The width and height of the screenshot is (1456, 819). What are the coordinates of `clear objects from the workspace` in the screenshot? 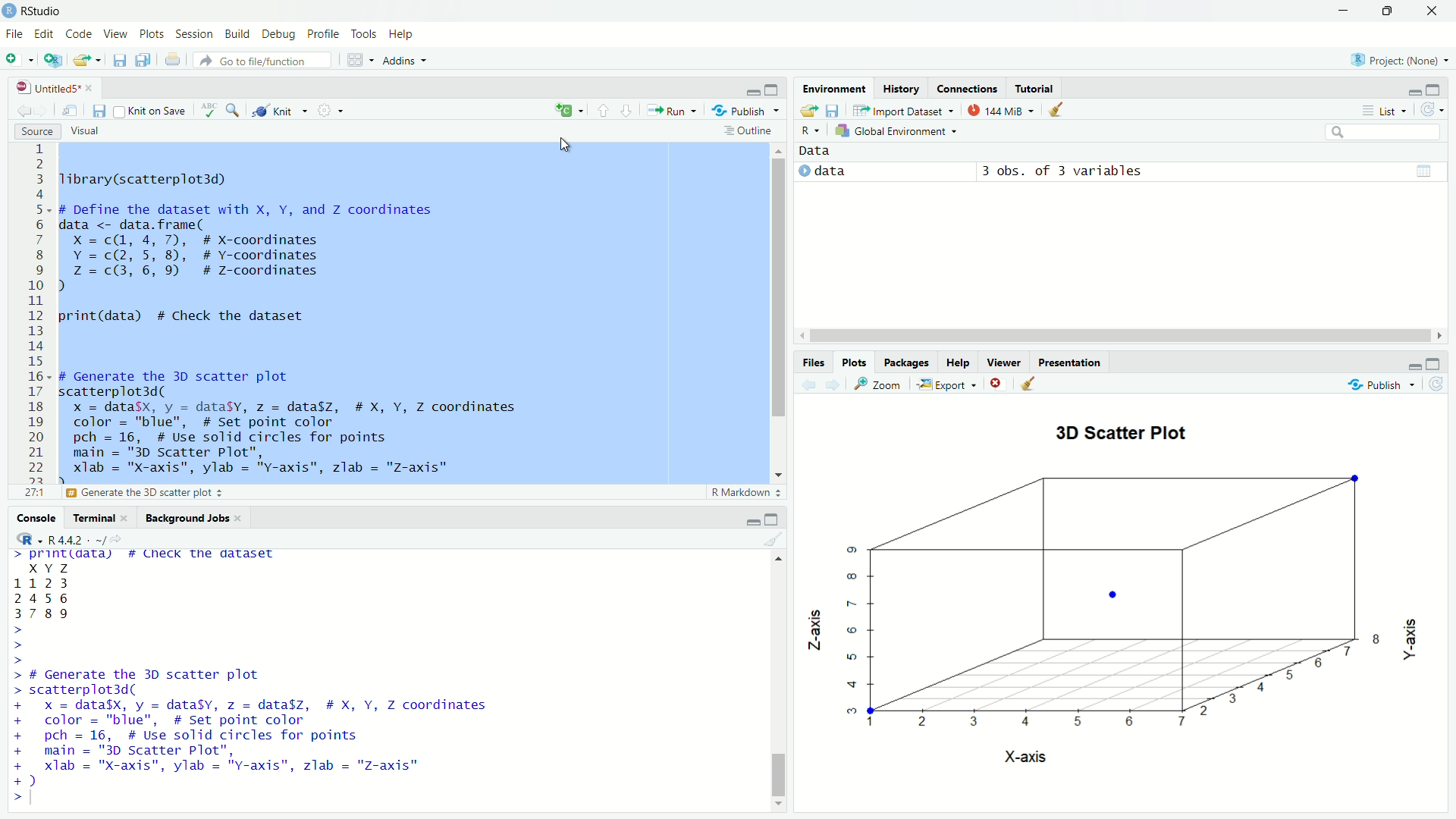 It's located at (1057, 111).